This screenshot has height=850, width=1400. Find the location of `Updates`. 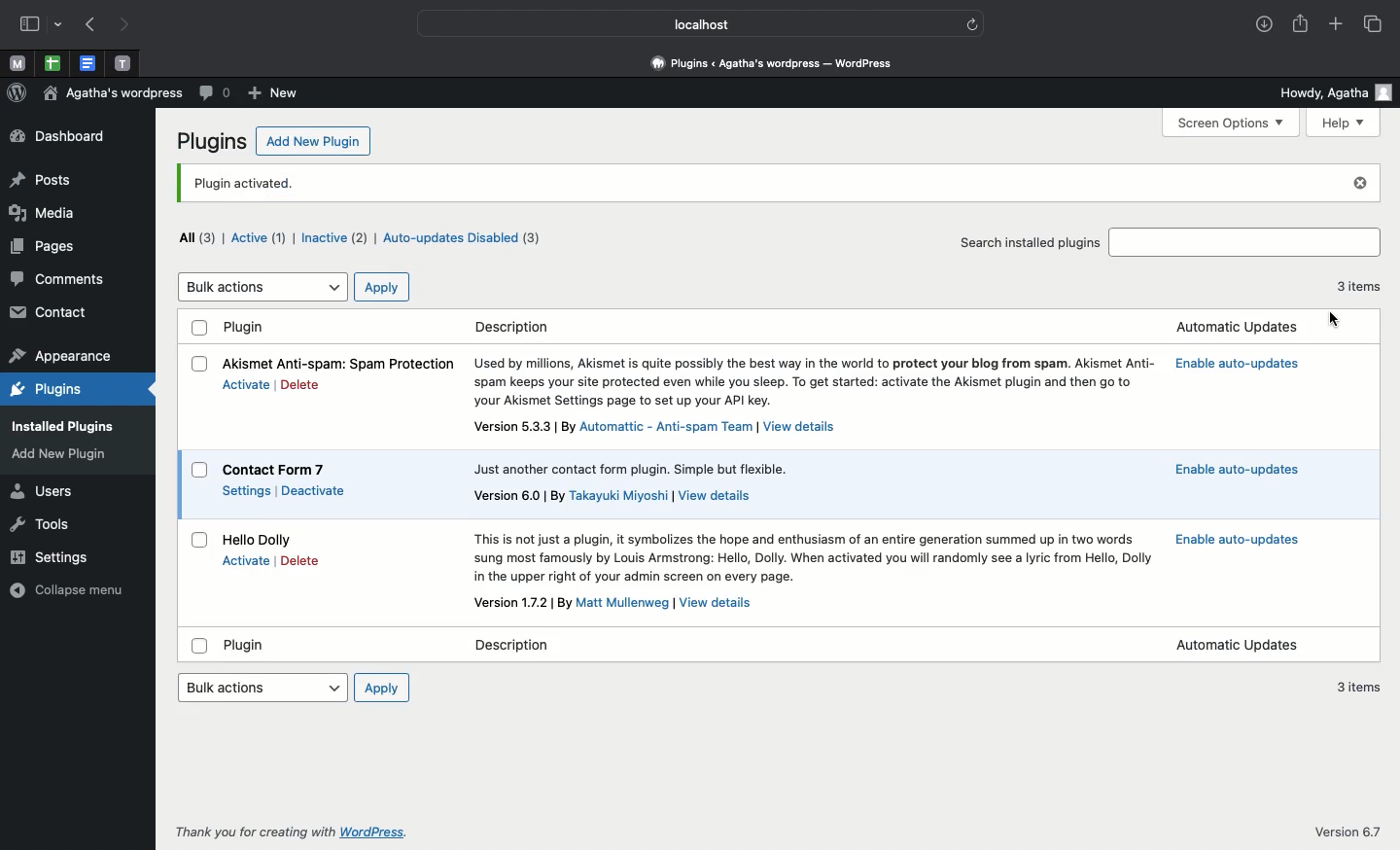

Updates is located at coordinates (1242, 645).